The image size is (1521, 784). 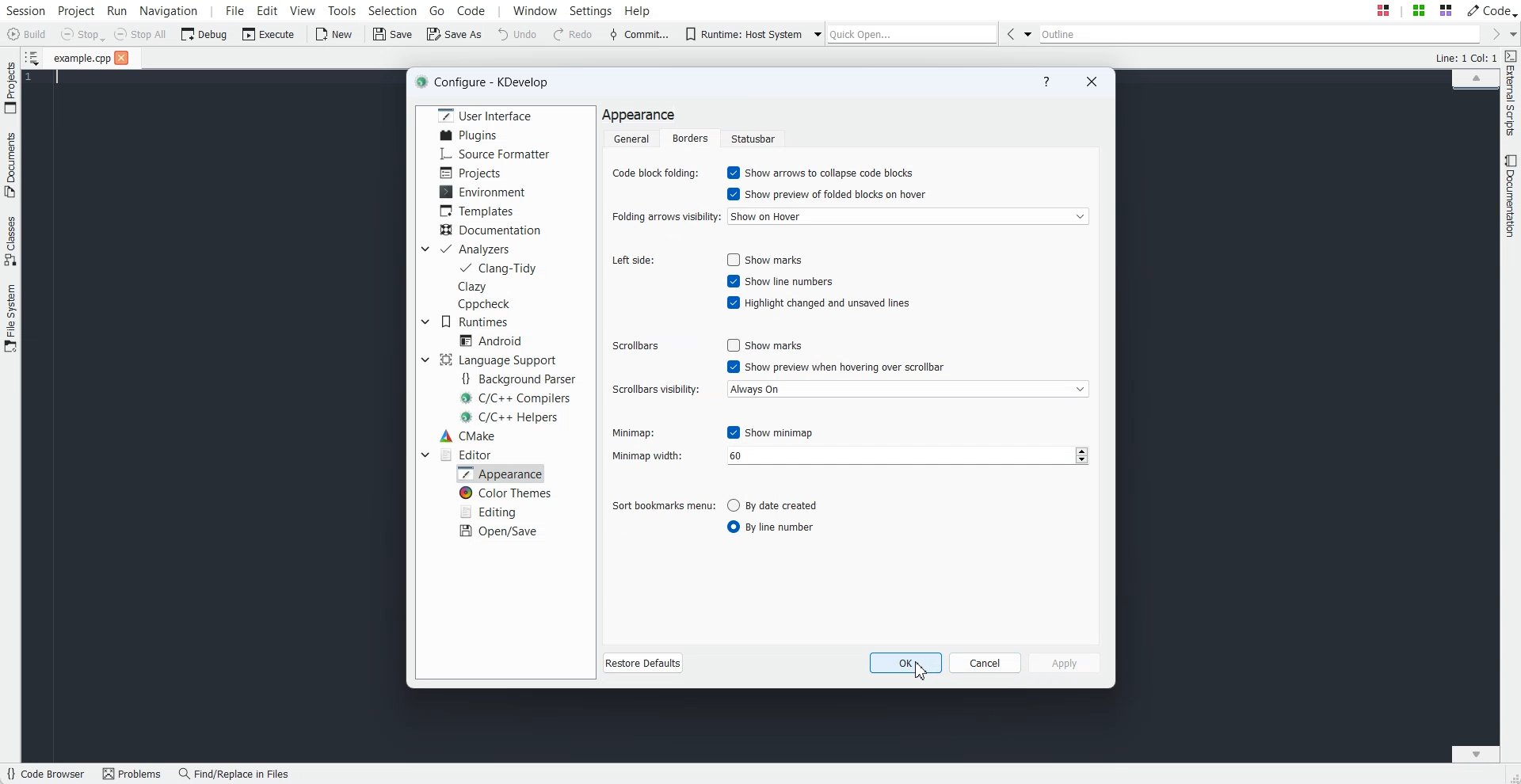 I want to click on Restore Defaults, so click(x=644, y=663).